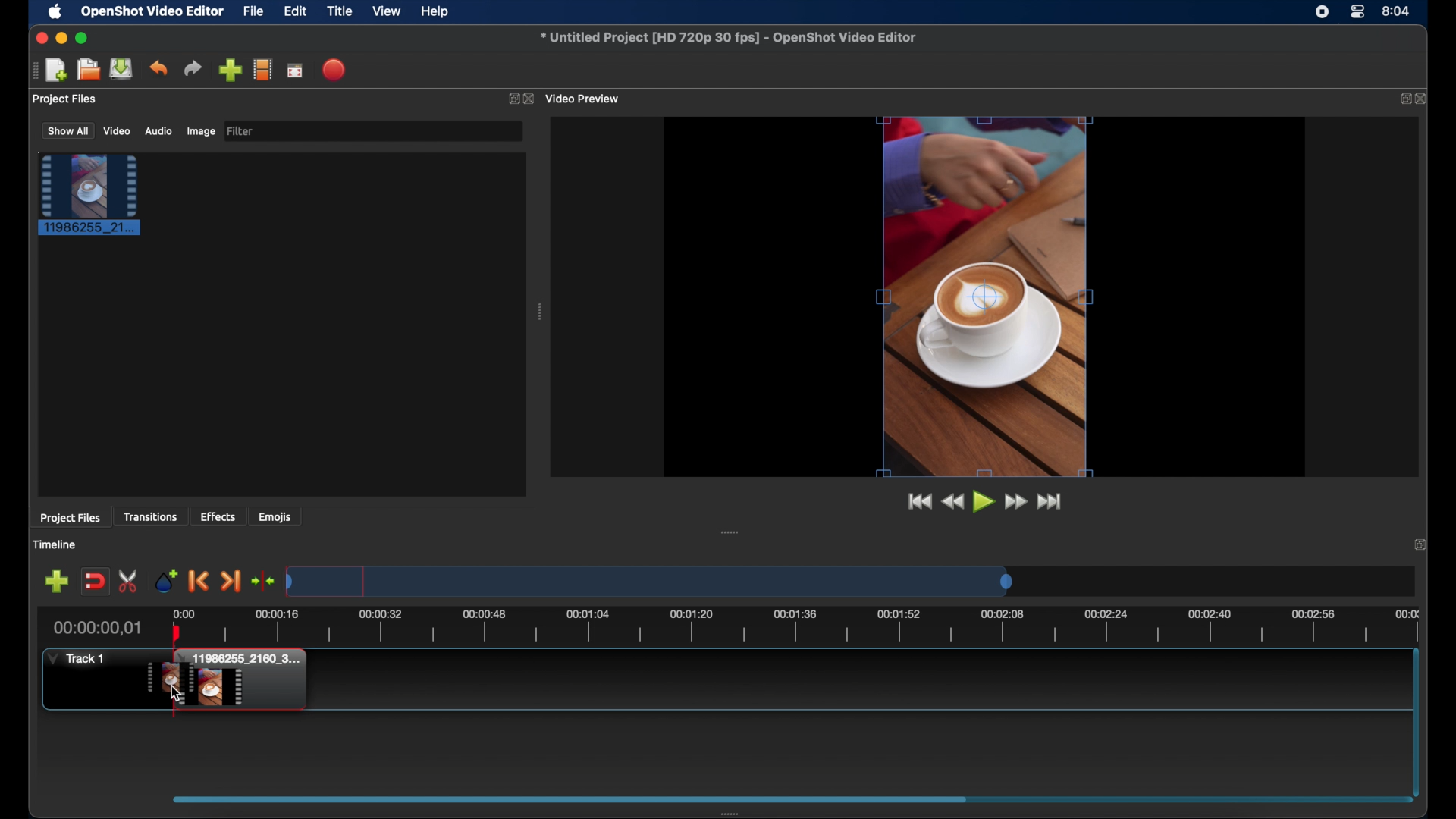 The width and height of the screenshot is (1456, 819). Describe the element at coordinates (649, 583) in the screenshot. I see `timeline scale` at that location.